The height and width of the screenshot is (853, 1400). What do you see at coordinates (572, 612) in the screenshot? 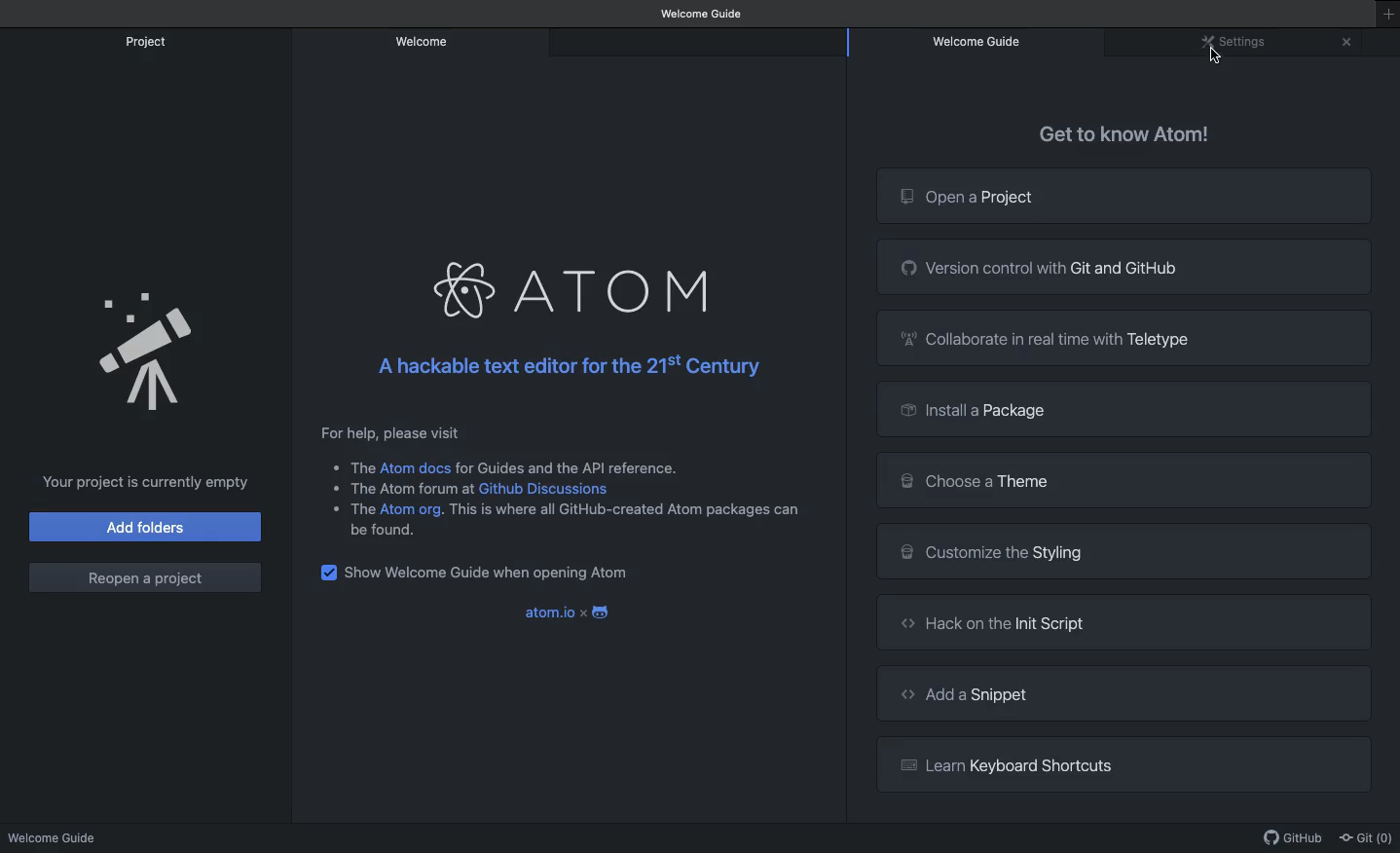
I see `atom.ioxandroid` at bounding box center [572, 612].